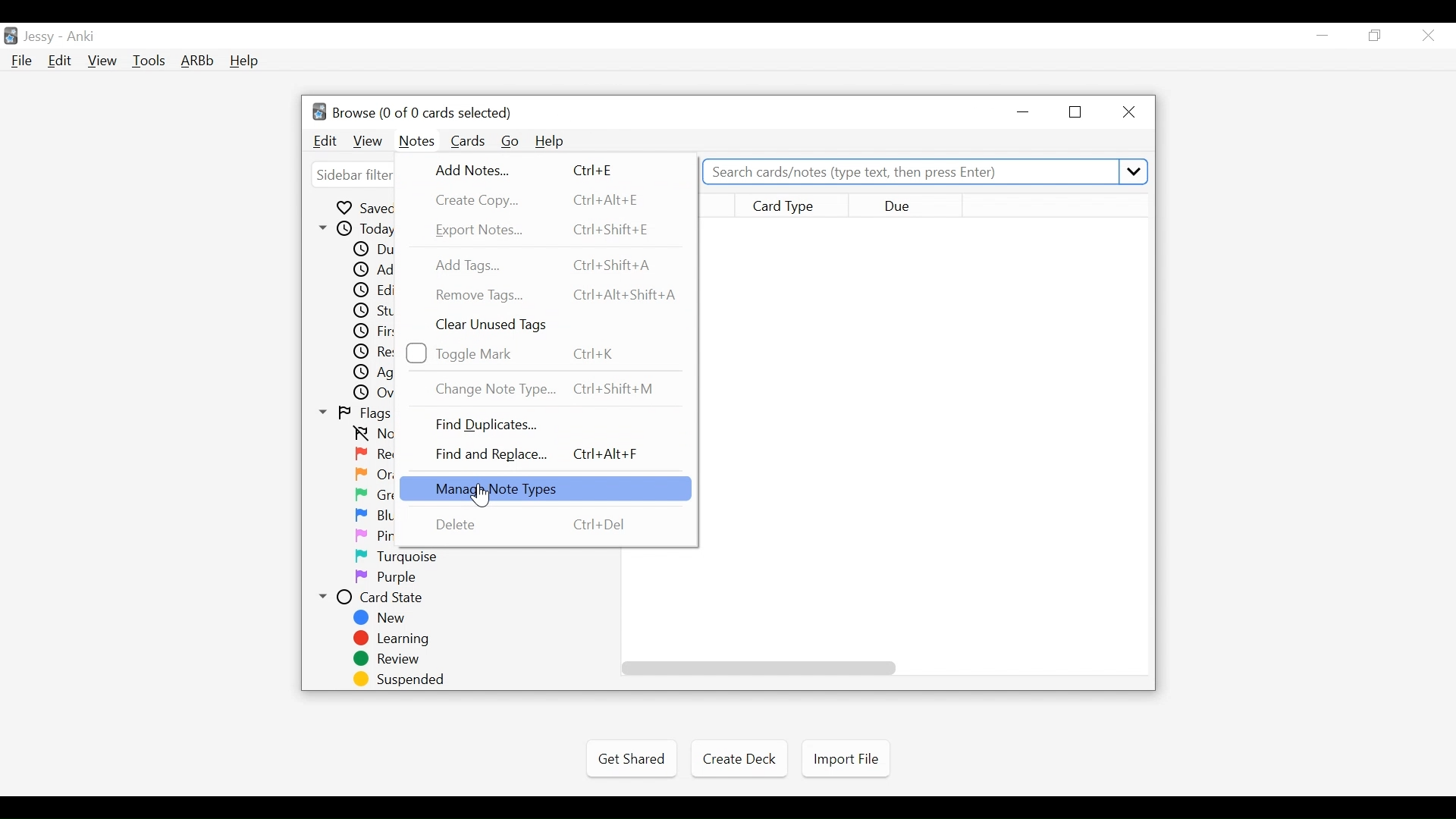  I want to click on Due, so click(908, 205).